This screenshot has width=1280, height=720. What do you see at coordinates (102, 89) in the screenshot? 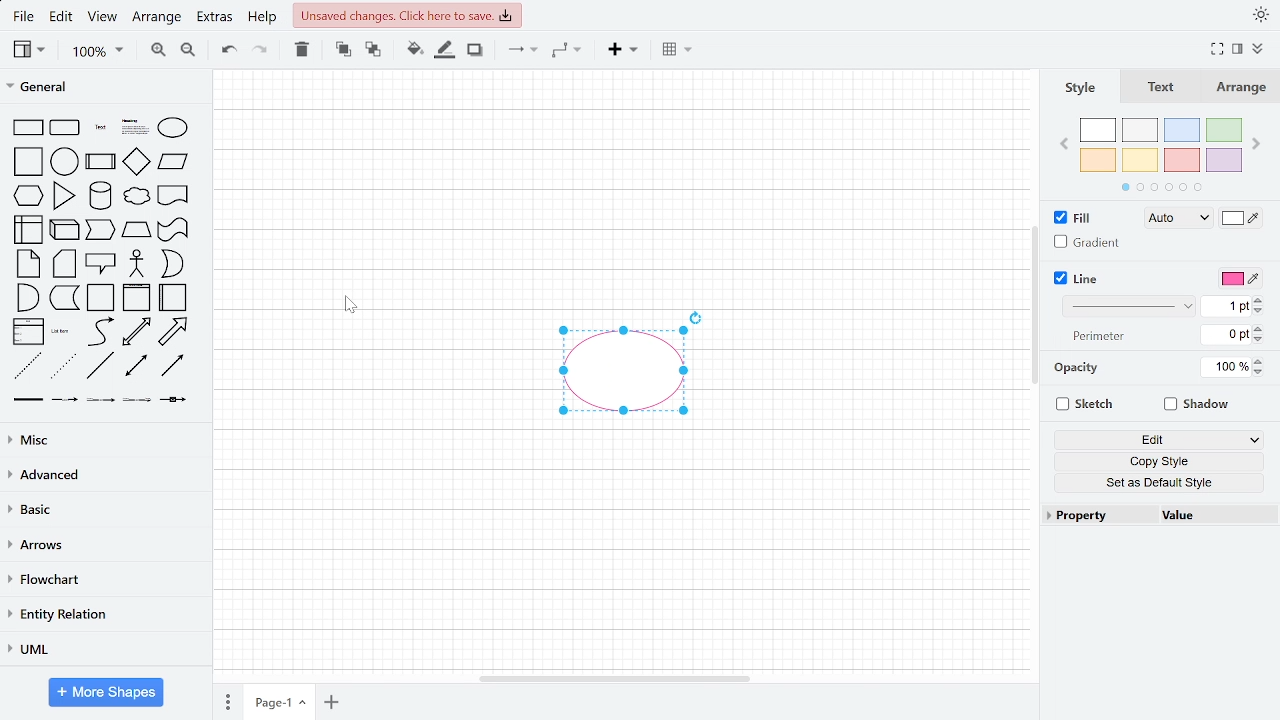
I see `General` at bounding box center [102, 89].